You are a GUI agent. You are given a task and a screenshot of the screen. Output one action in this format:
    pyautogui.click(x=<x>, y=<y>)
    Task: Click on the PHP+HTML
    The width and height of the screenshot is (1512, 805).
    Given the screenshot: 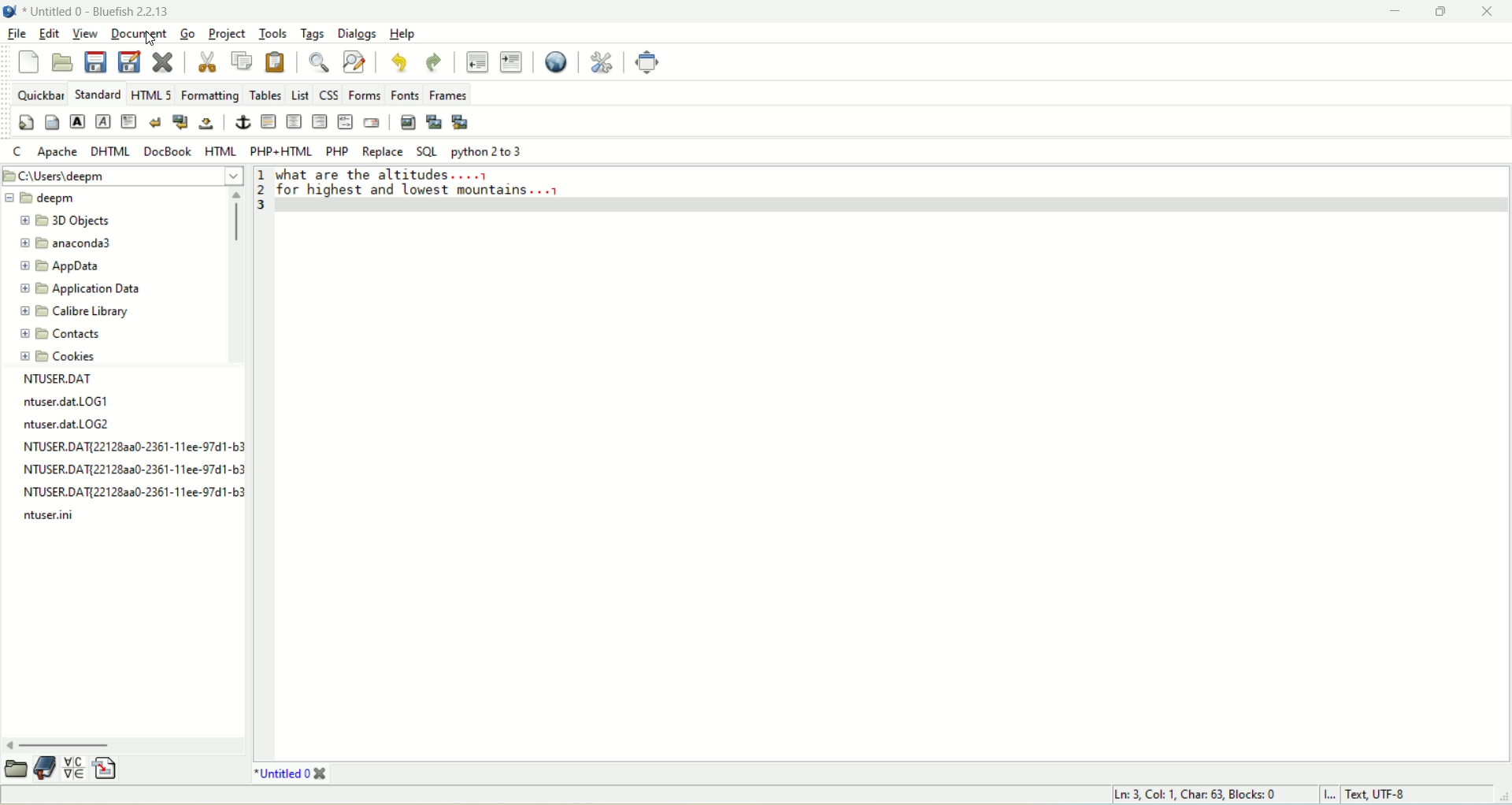 What is the action you would take?
    pyautogui.click(x=284, y=147)
    